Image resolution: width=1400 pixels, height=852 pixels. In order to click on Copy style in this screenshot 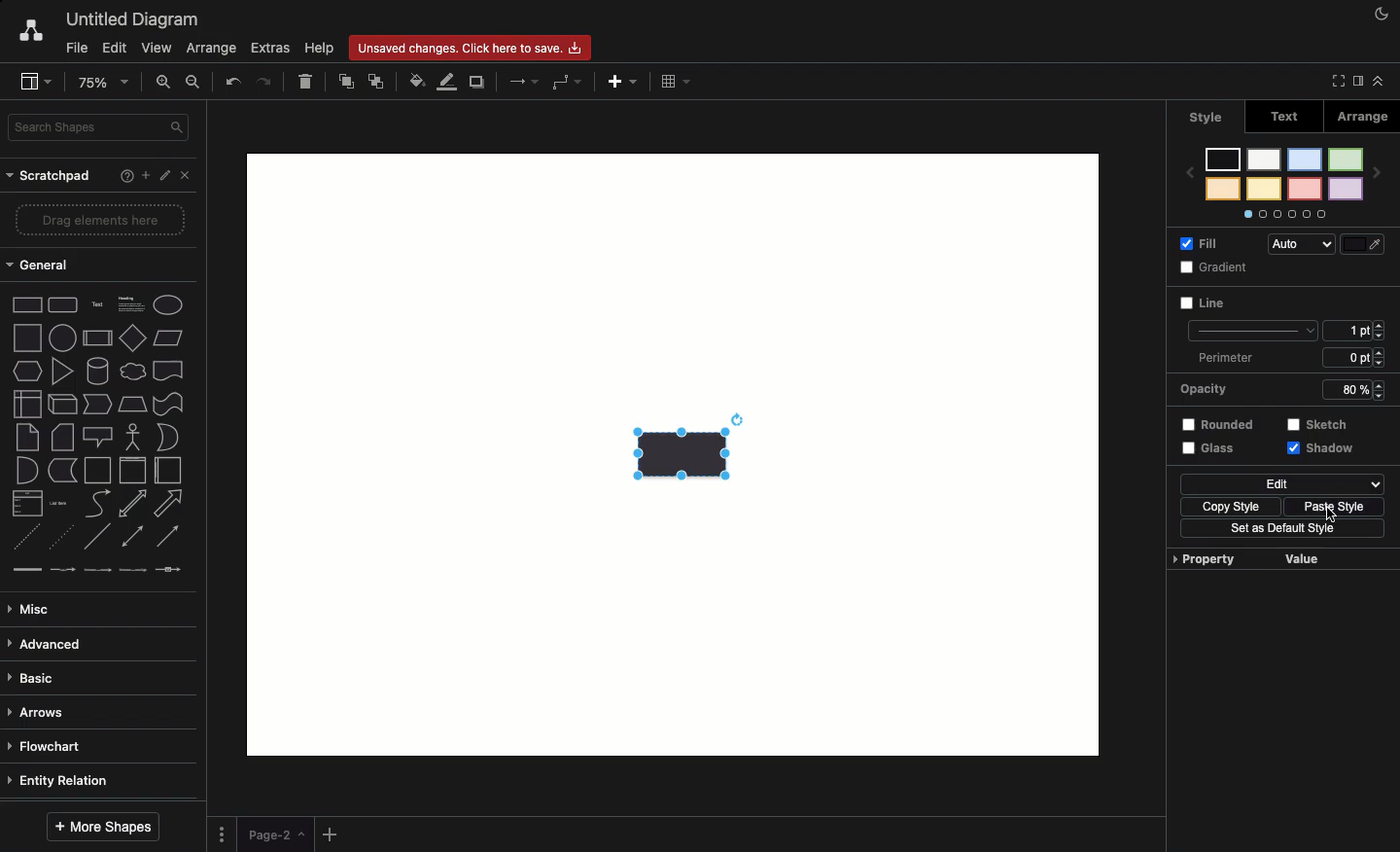, I will do `click(1225, 505)`.